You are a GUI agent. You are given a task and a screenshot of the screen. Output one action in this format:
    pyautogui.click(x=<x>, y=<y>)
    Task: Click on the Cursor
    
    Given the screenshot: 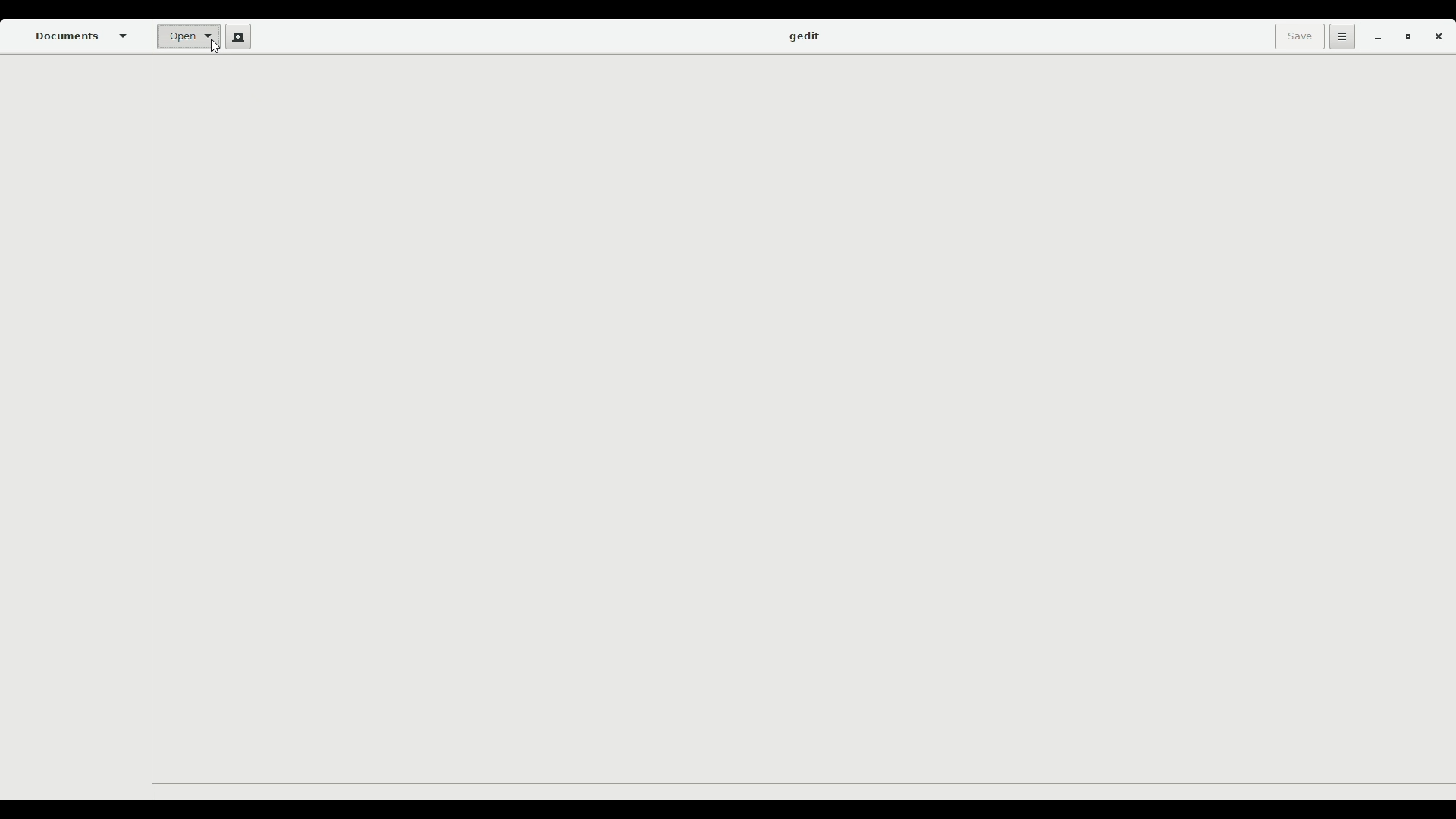 What is the action you would take?
    pyautogui.click(x=218, y=47)
    